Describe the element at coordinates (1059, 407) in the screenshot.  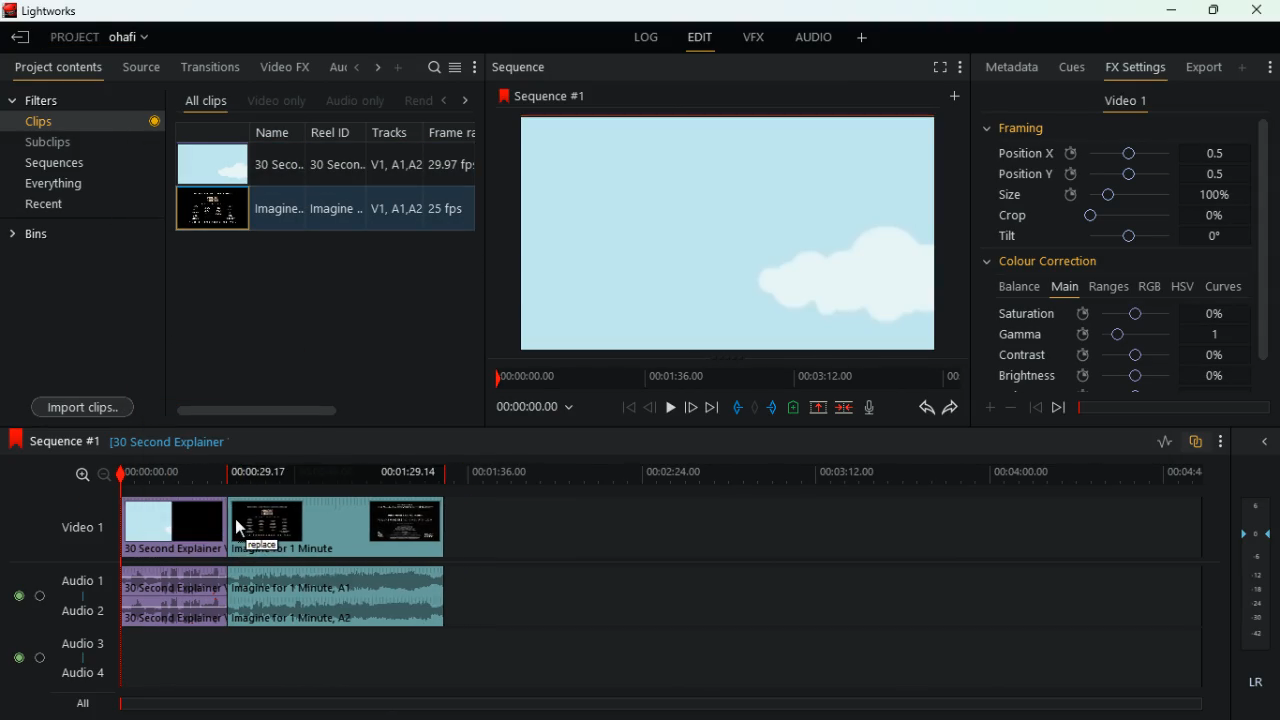
I see `front` at that location.